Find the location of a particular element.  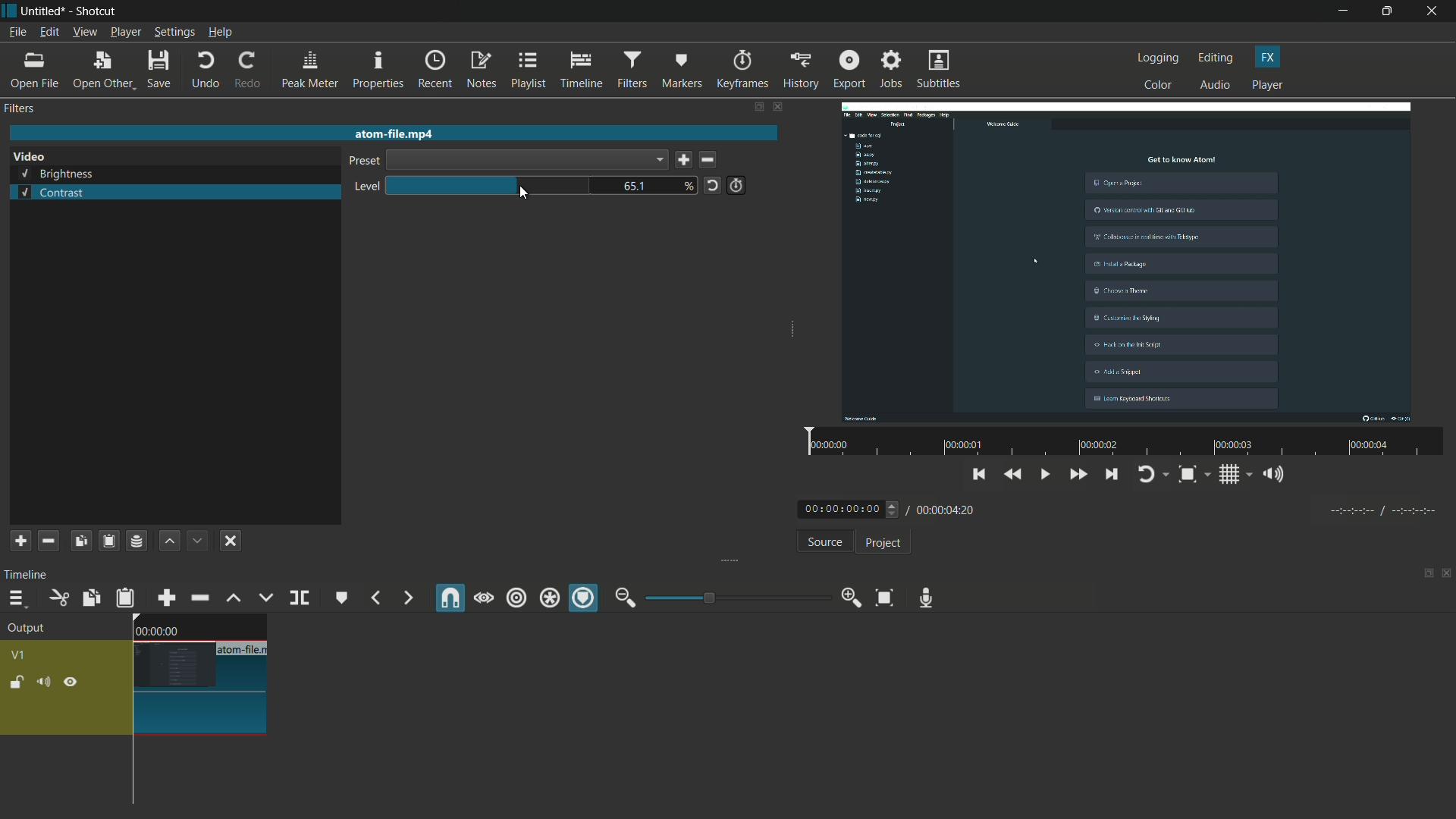

timecodes is located at coordinates (1381, 508).